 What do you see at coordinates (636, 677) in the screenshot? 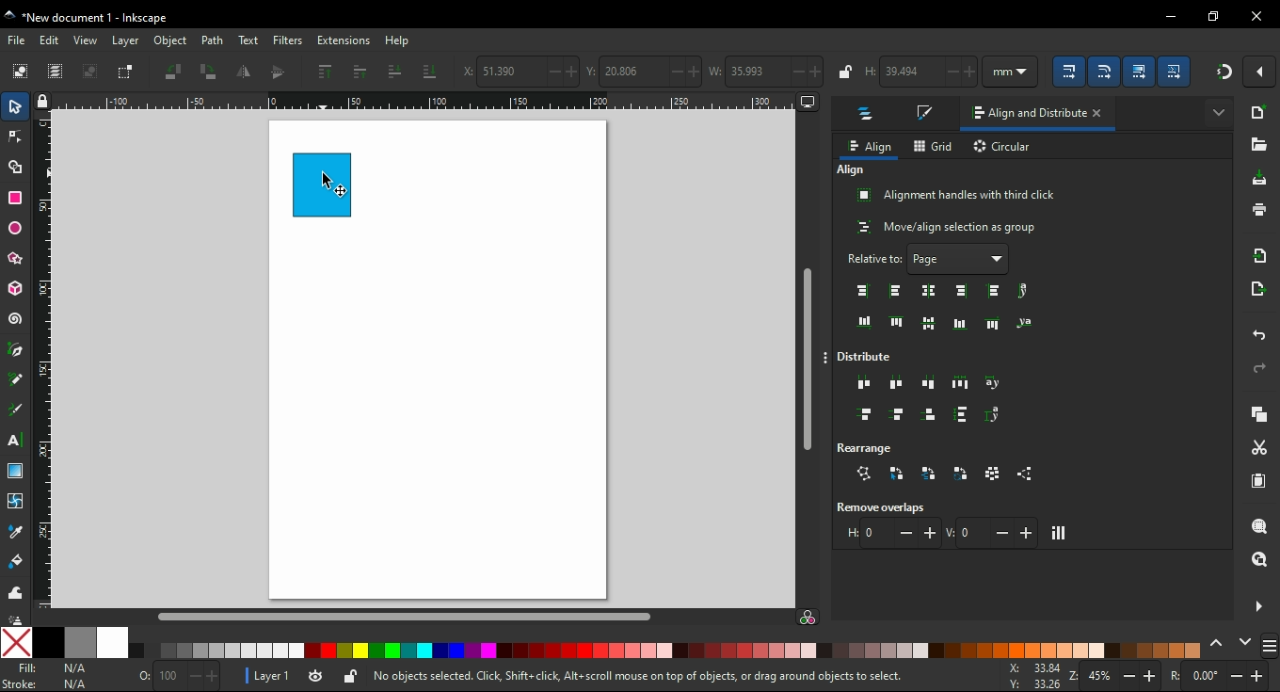
I see `shortcuts and notifications display` at bounding box center [636, 677].